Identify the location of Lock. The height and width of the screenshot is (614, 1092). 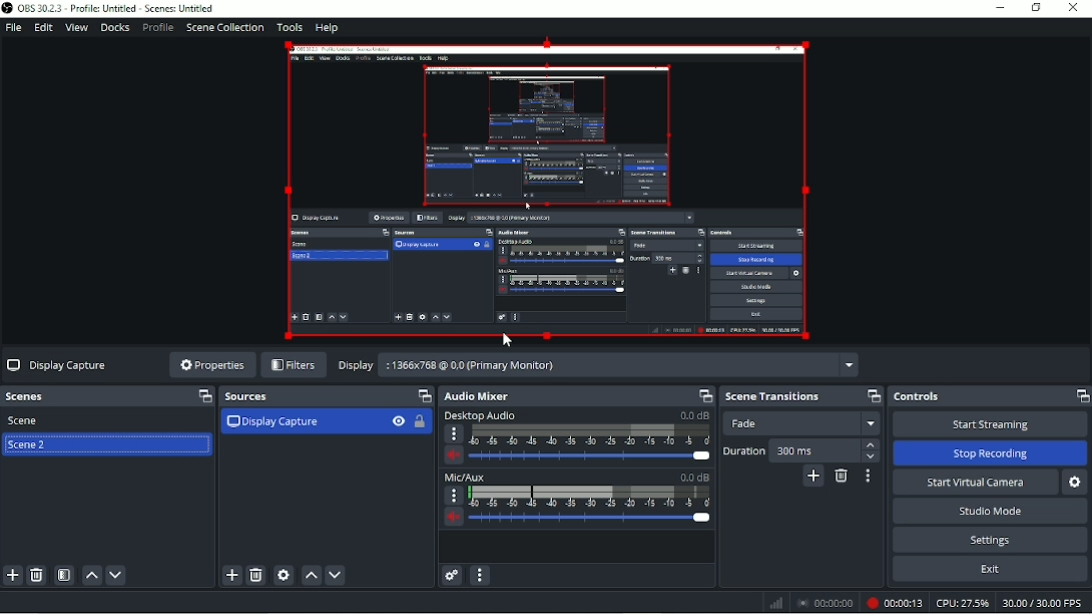
(423, 423).